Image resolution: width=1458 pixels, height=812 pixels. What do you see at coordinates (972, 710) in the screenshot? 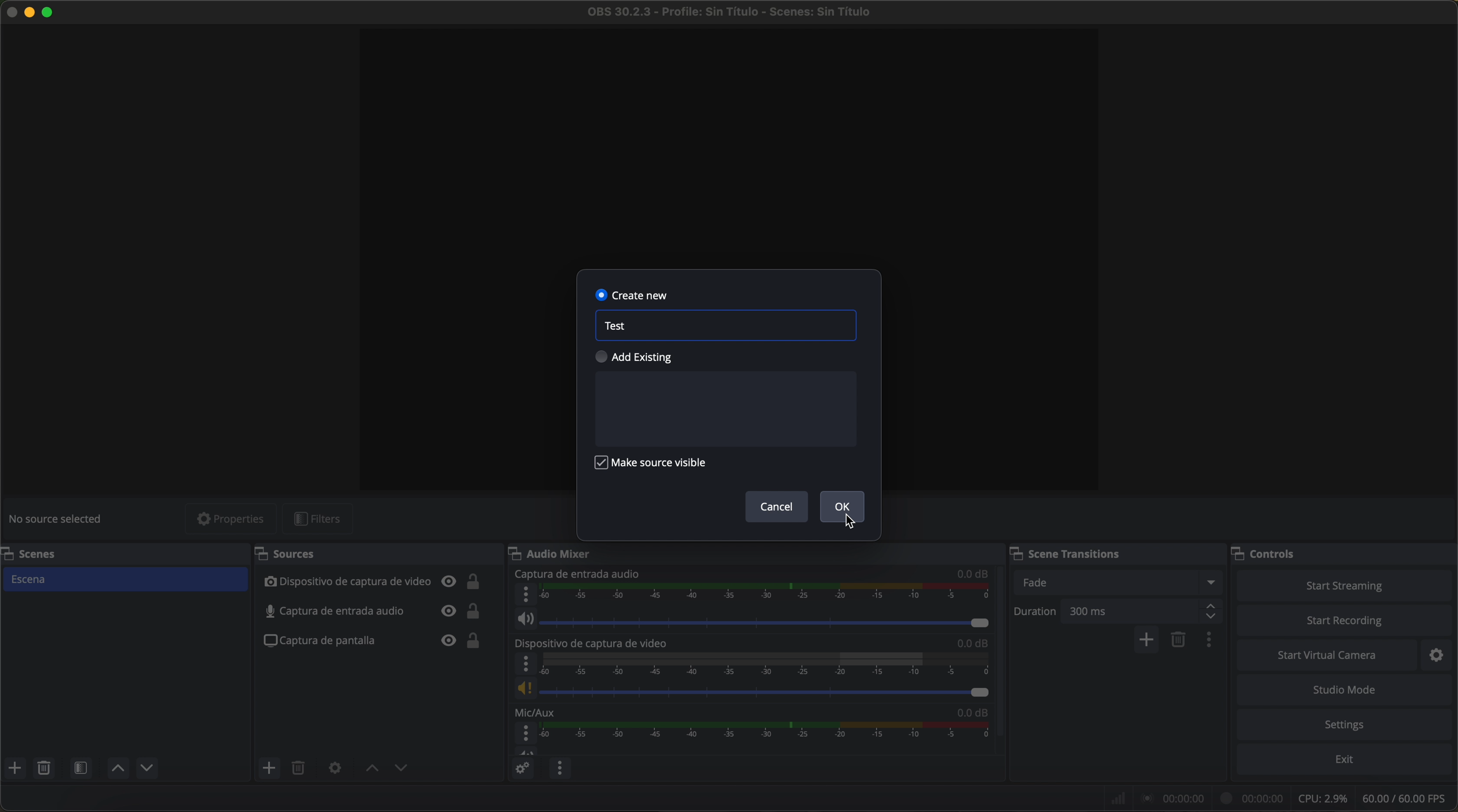
I see `0.0 dB` at bounding box center [972, 710].